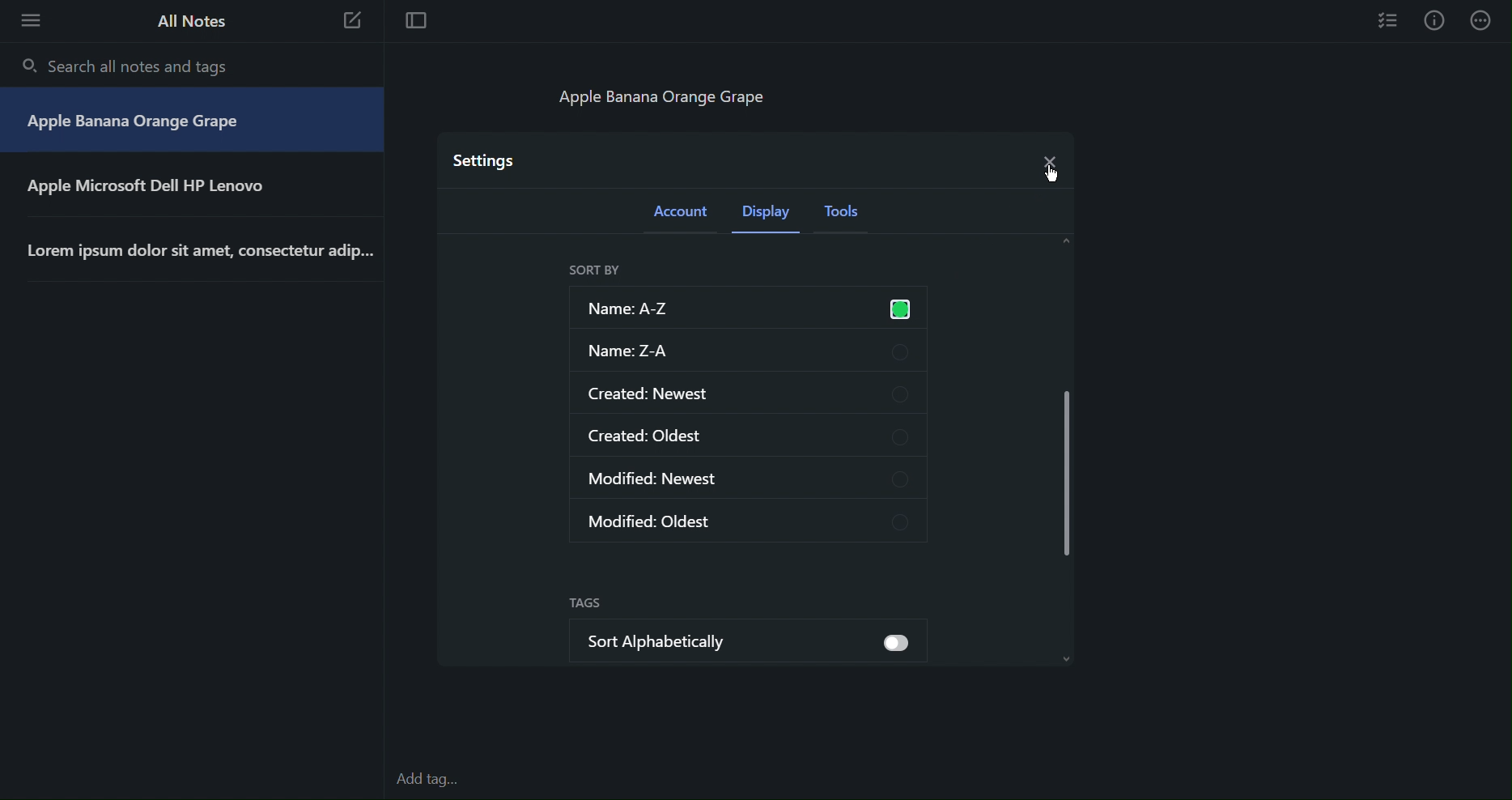  I want to click on Apple Banana Orange Grape, so click(673, 96).